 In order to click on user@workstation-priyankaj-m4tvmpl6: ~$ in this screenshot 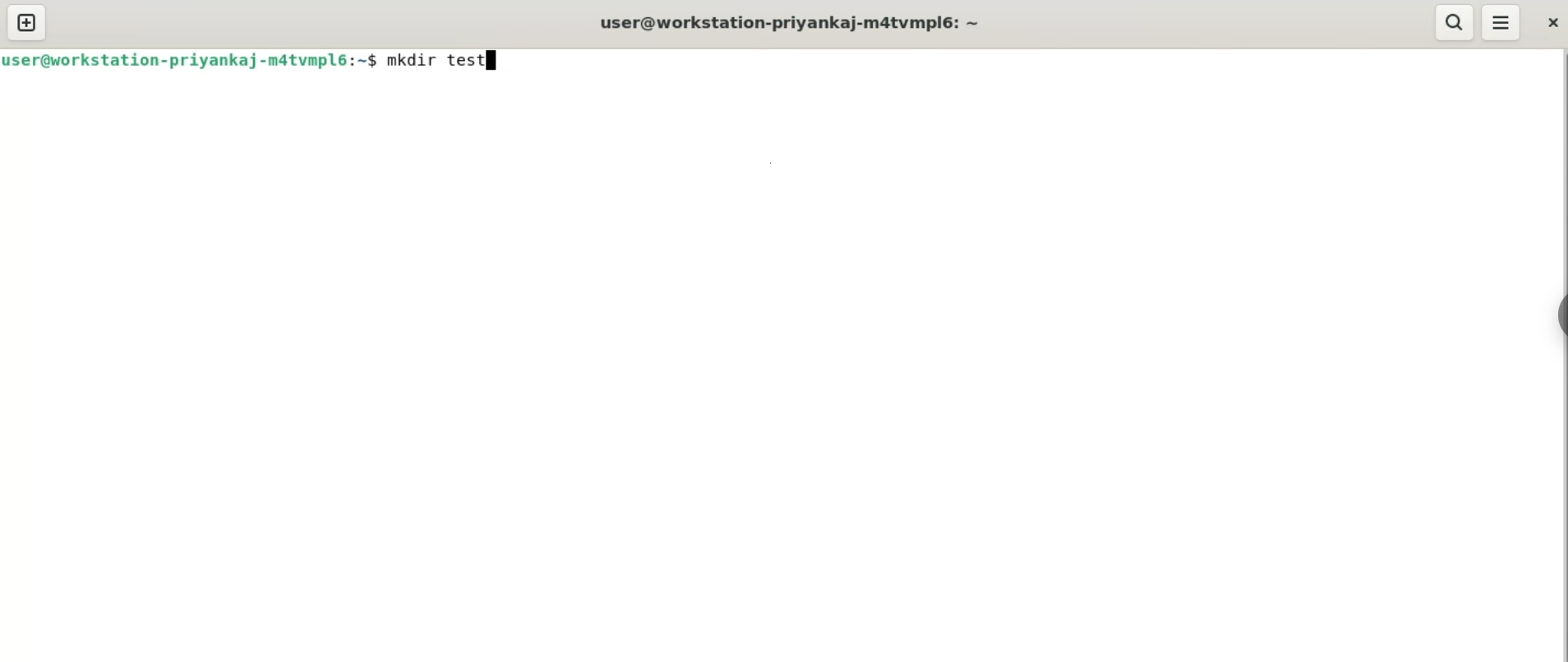, I will do `click(191, 59)`.